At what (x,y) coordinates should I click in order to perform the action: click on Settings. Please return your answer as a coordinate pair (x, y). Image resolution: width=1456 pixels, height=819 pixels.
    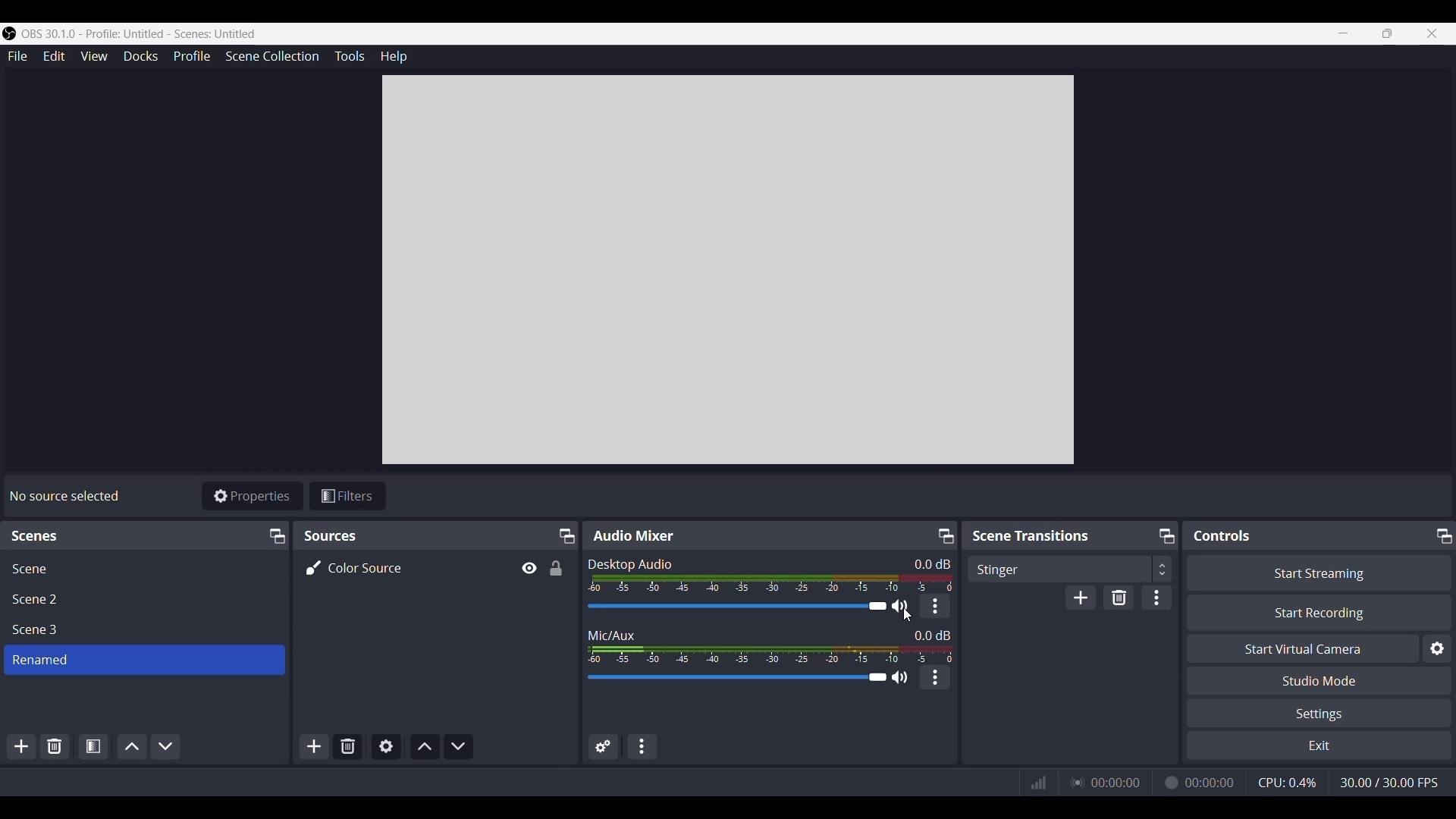
    Looking at the image, I should click on (1319, 713).